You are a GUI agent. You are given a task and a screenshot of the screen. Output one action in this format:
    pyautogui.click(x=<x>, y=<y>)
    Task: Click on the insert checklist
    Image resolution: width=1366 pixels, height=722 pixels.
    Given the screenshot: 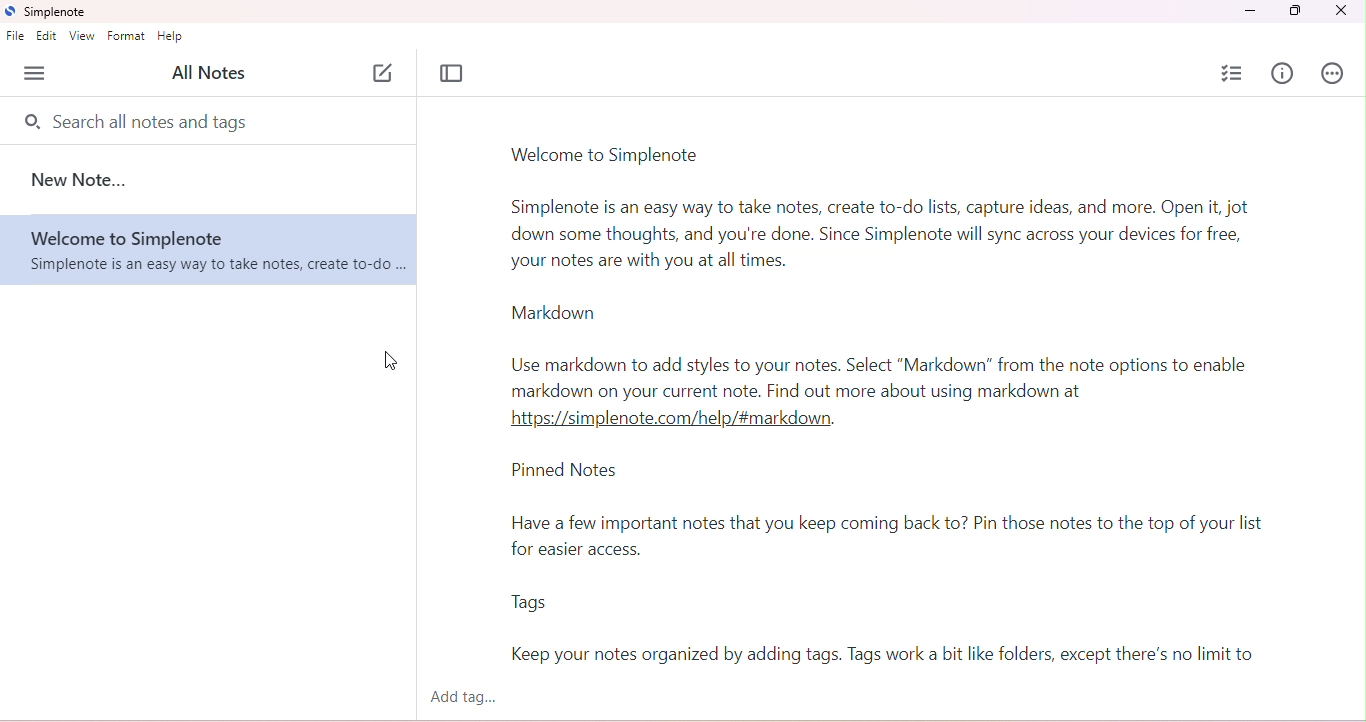 What is the action you would take?
    pyautogui.click(x=1234, y=72)
    